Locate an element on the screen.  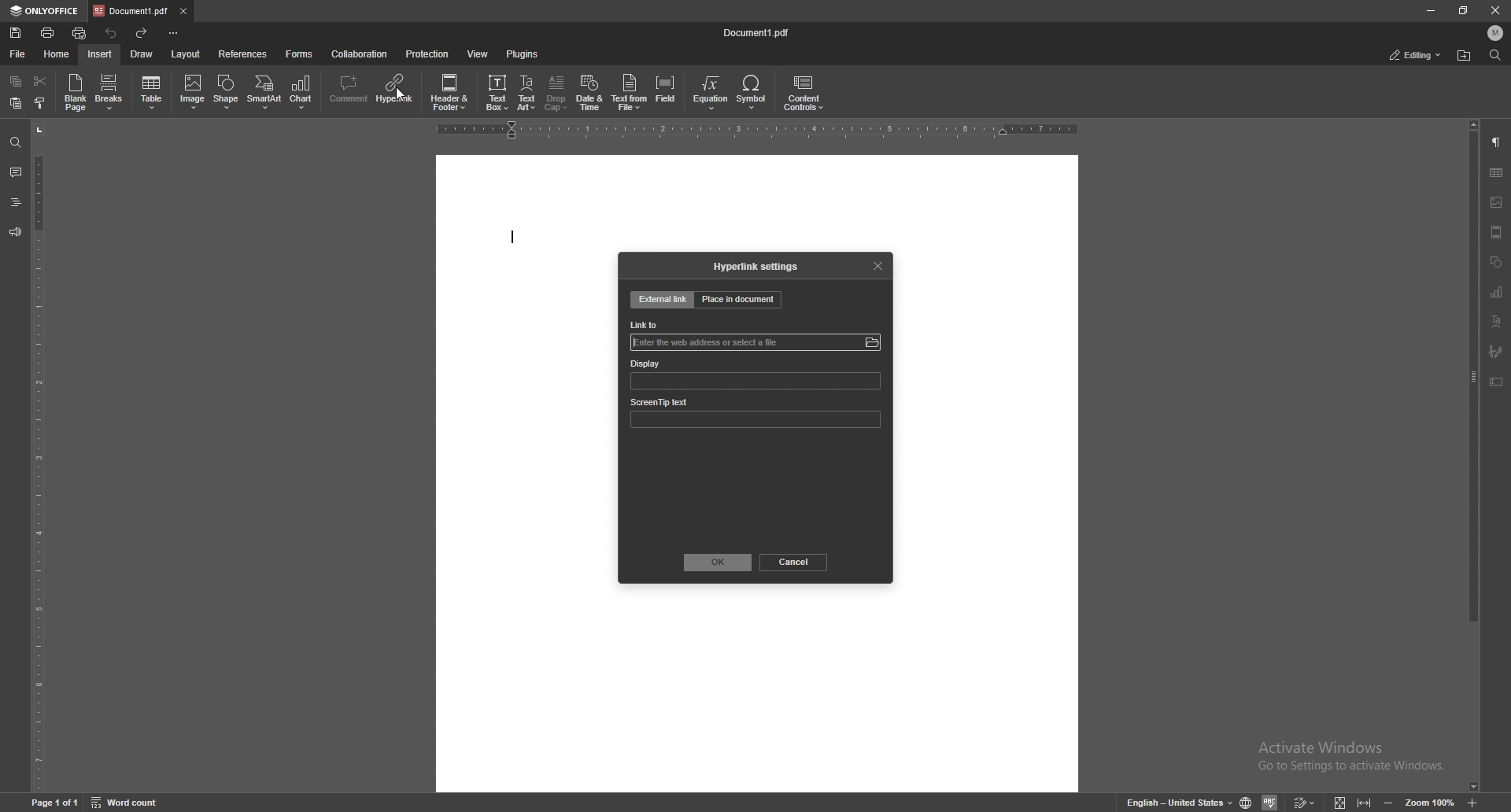
references is located at coordinates (243, 54).